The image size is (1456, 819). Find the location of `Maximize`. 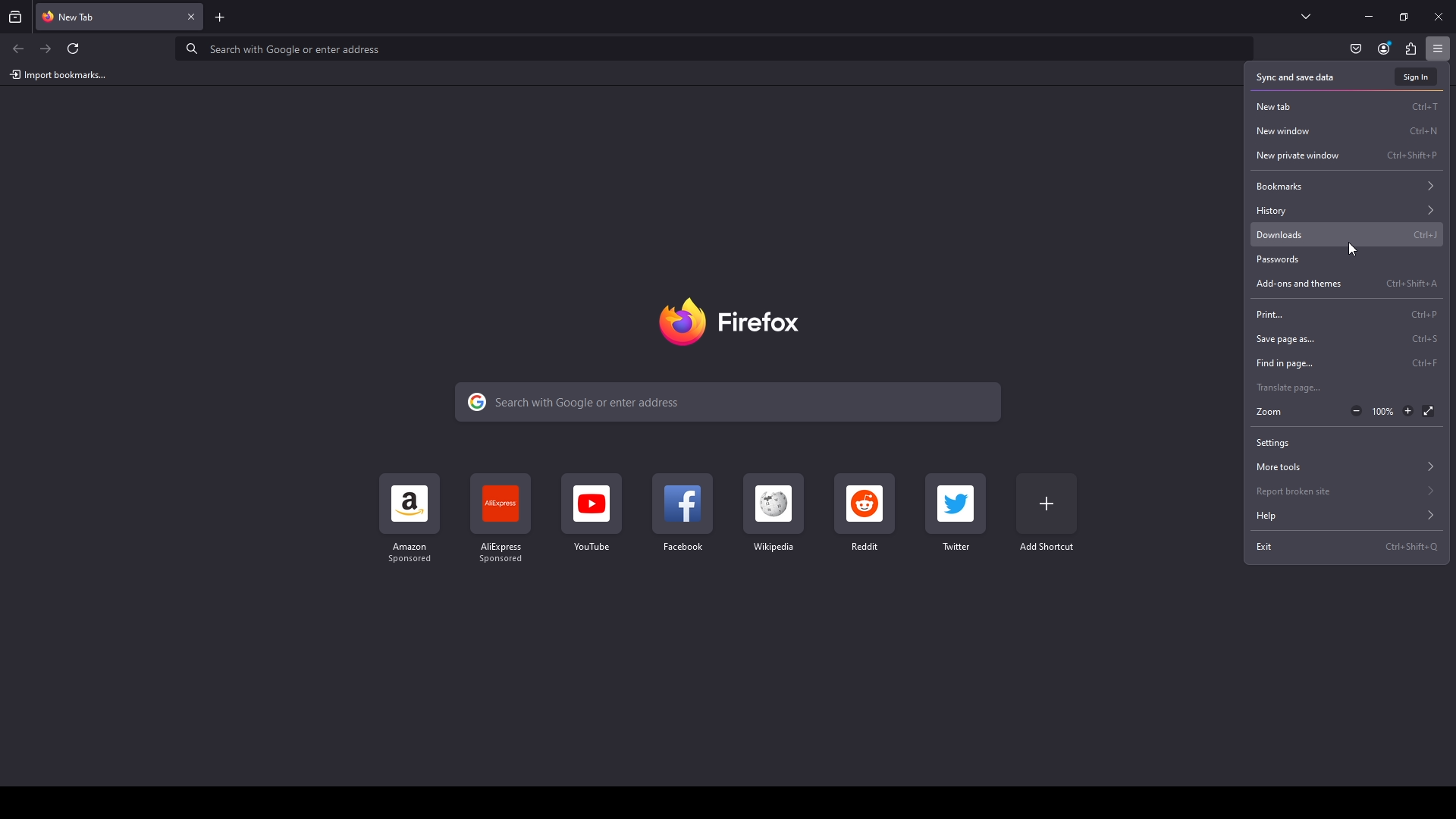

Maximize is located at coordinates (1404, 18).